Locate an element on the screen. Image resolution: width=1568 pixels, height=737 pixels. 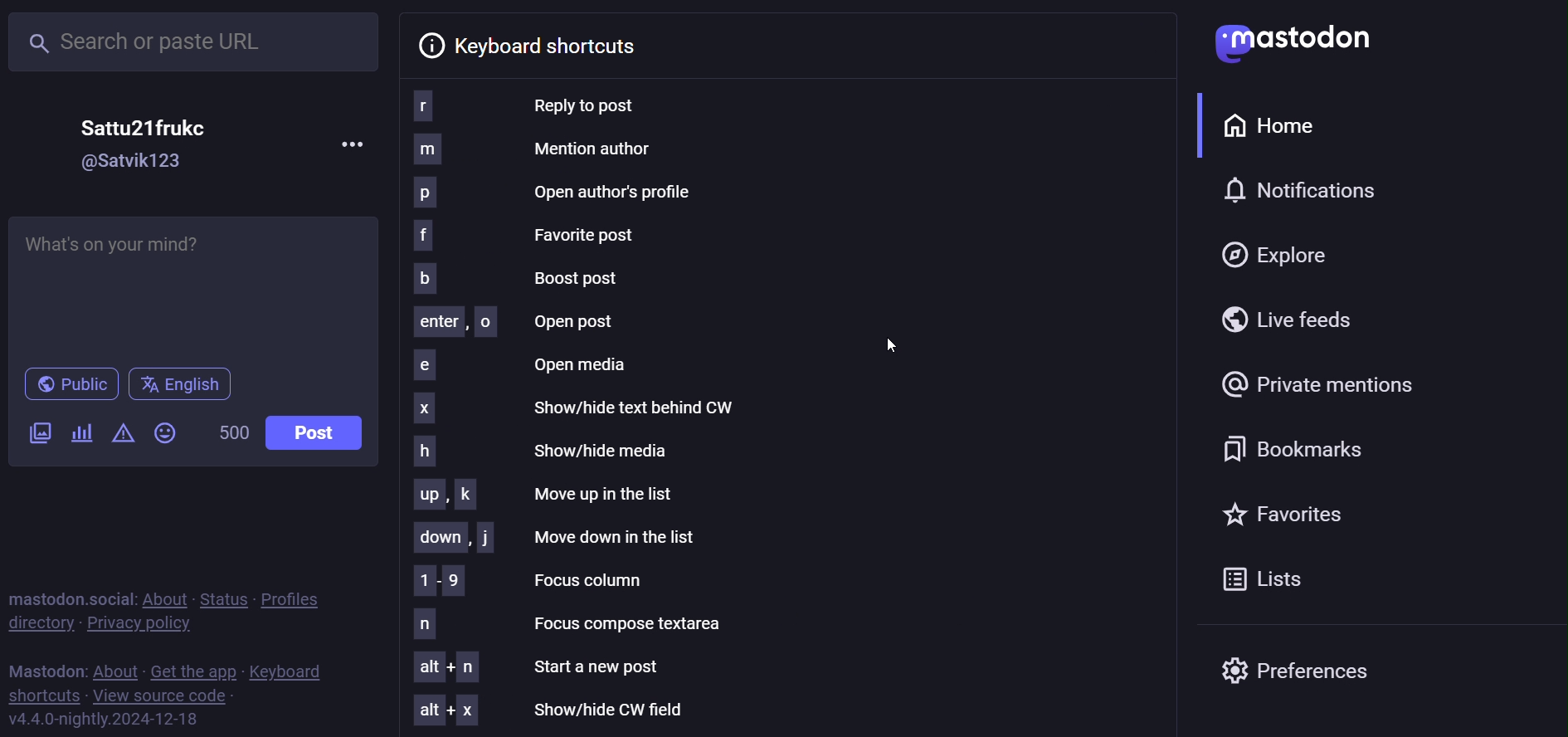
favorite post is located at coordinates (527, 236).